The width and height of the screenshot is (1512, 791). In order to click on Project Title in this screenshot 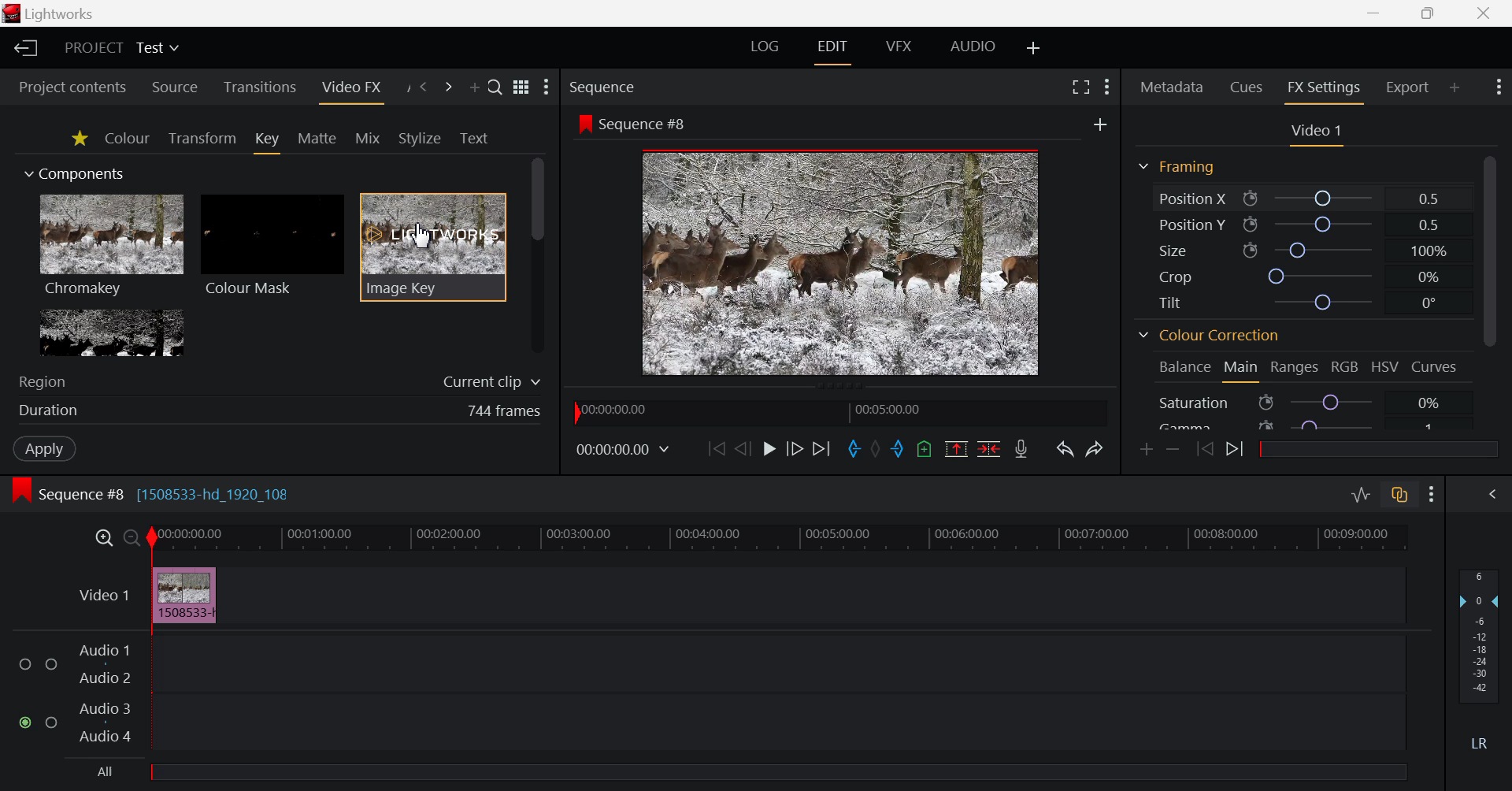, I will do `click(121, 47)`.